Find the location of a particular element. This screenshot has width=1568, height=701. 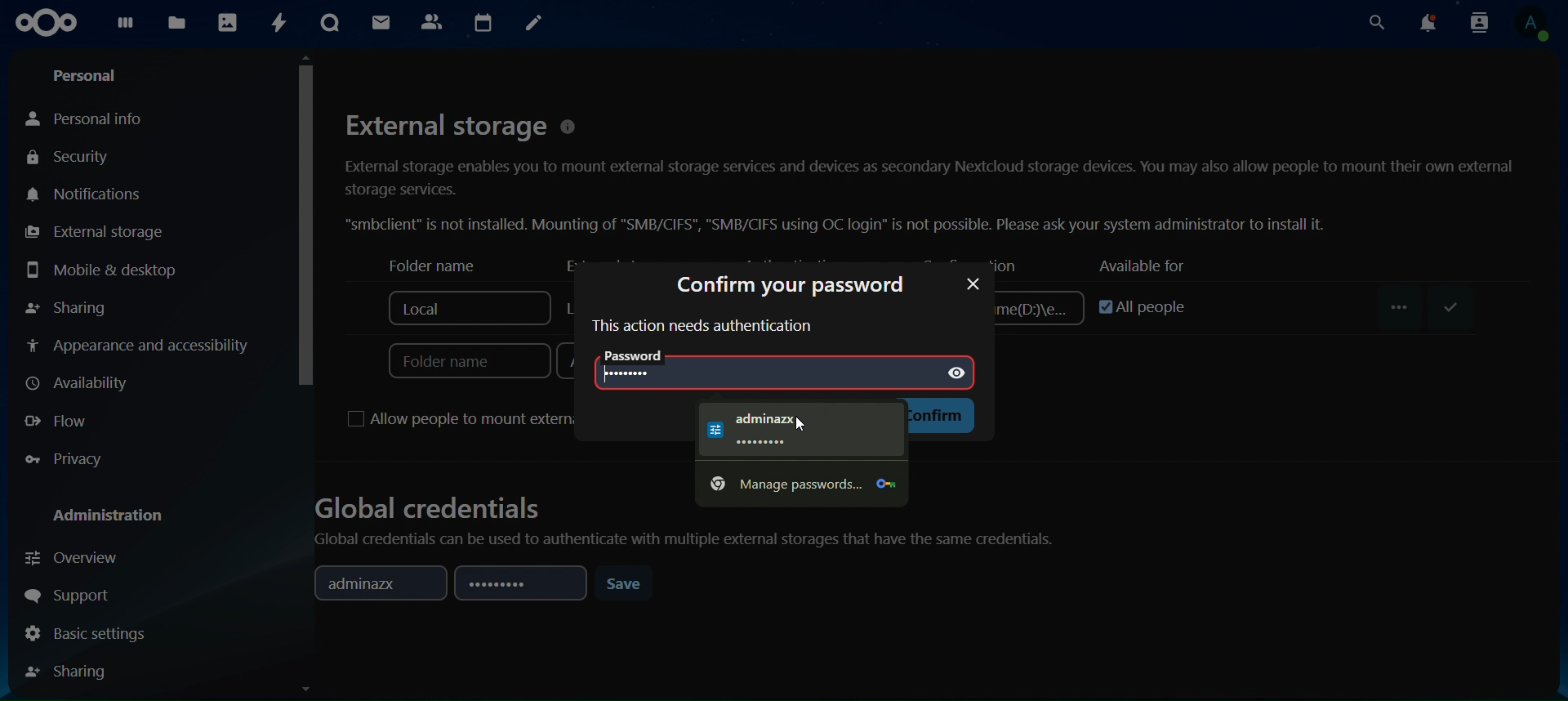

view profile is located at coordinates (1538, 25).